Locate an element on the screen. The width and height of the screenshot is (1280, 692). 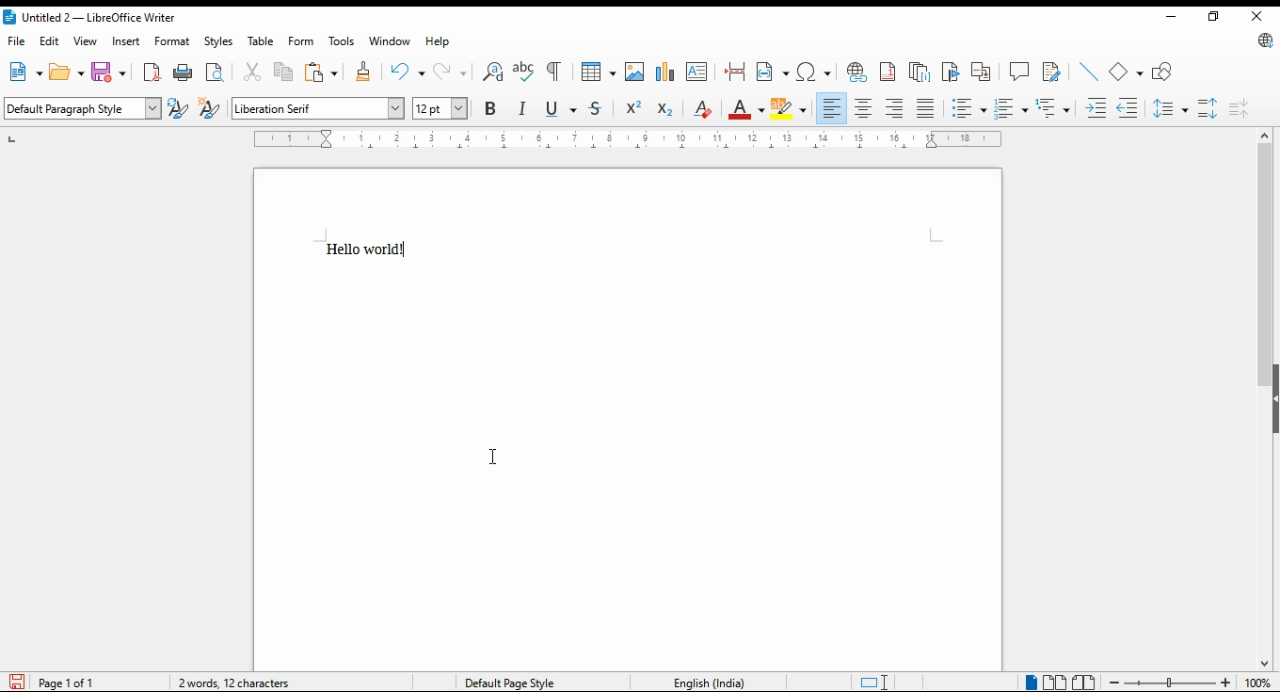
insert hyperlink is located at coordinates (856, 72).